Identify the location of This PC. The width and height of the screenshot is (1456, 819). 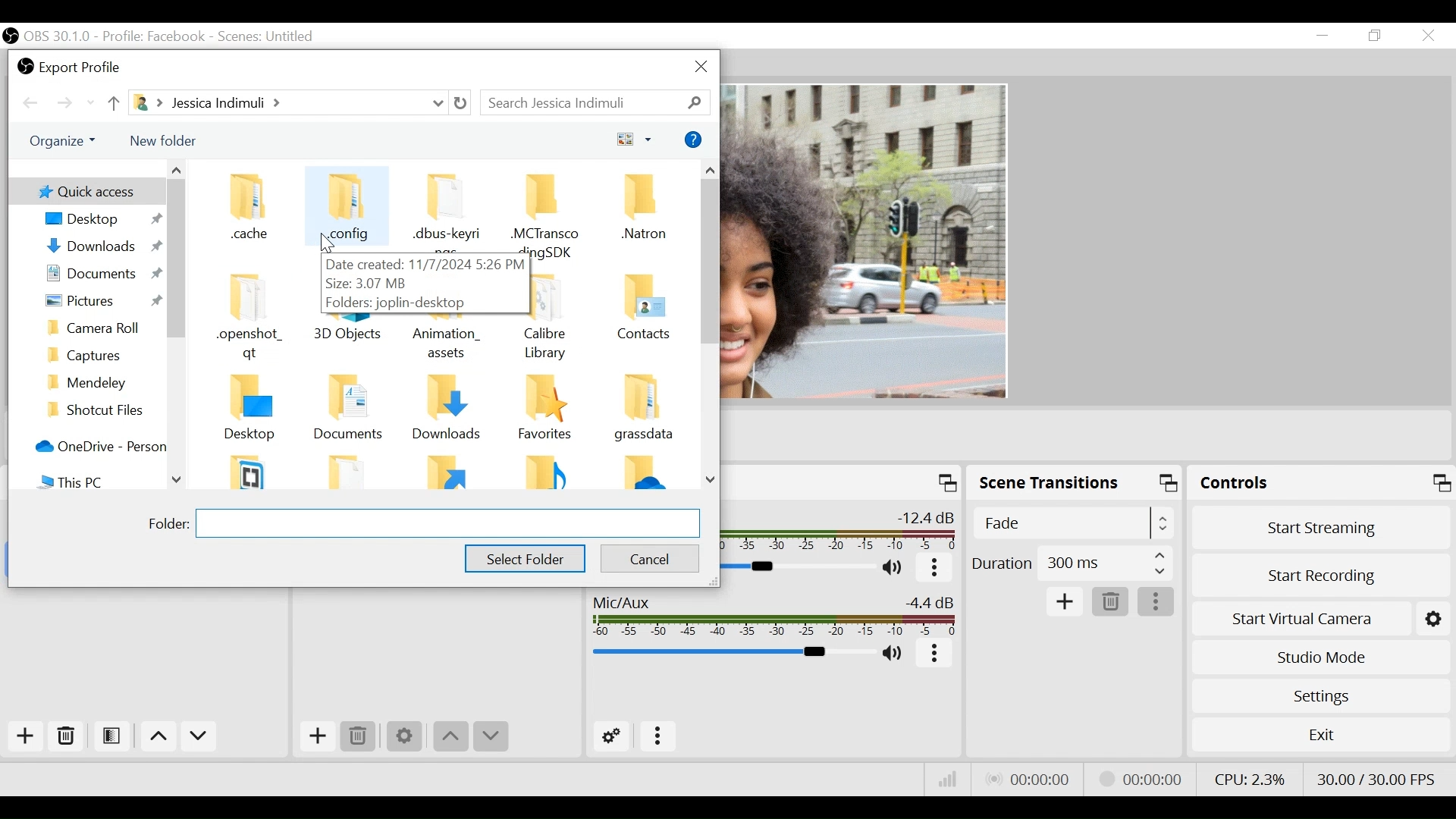
(99, 481).